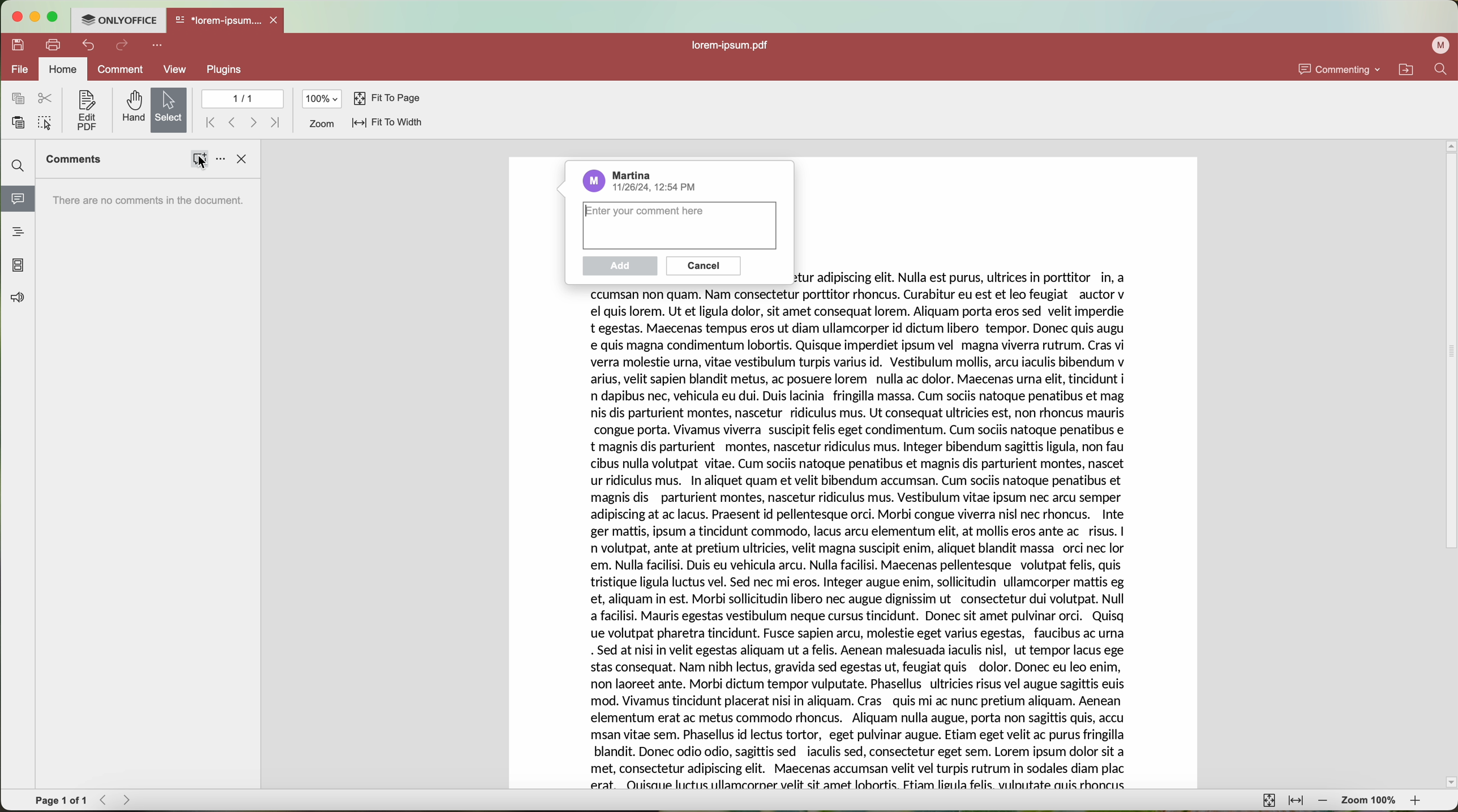  What do you see at coordinates (121, 71) in the screenshot?
I see `comment` at bounding box center [121, 71].